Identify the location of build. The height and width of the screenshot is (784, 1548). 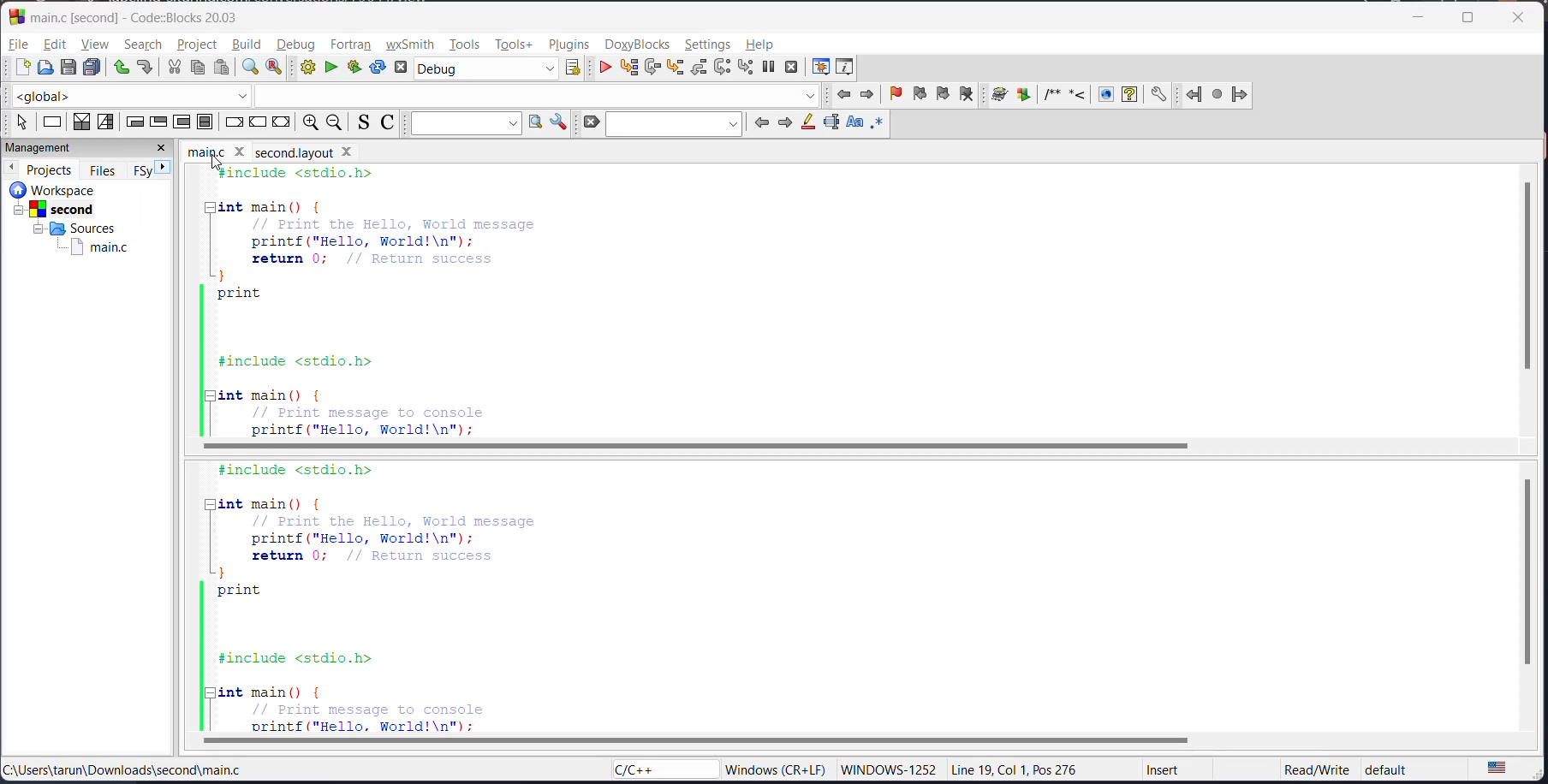
(310, 68).